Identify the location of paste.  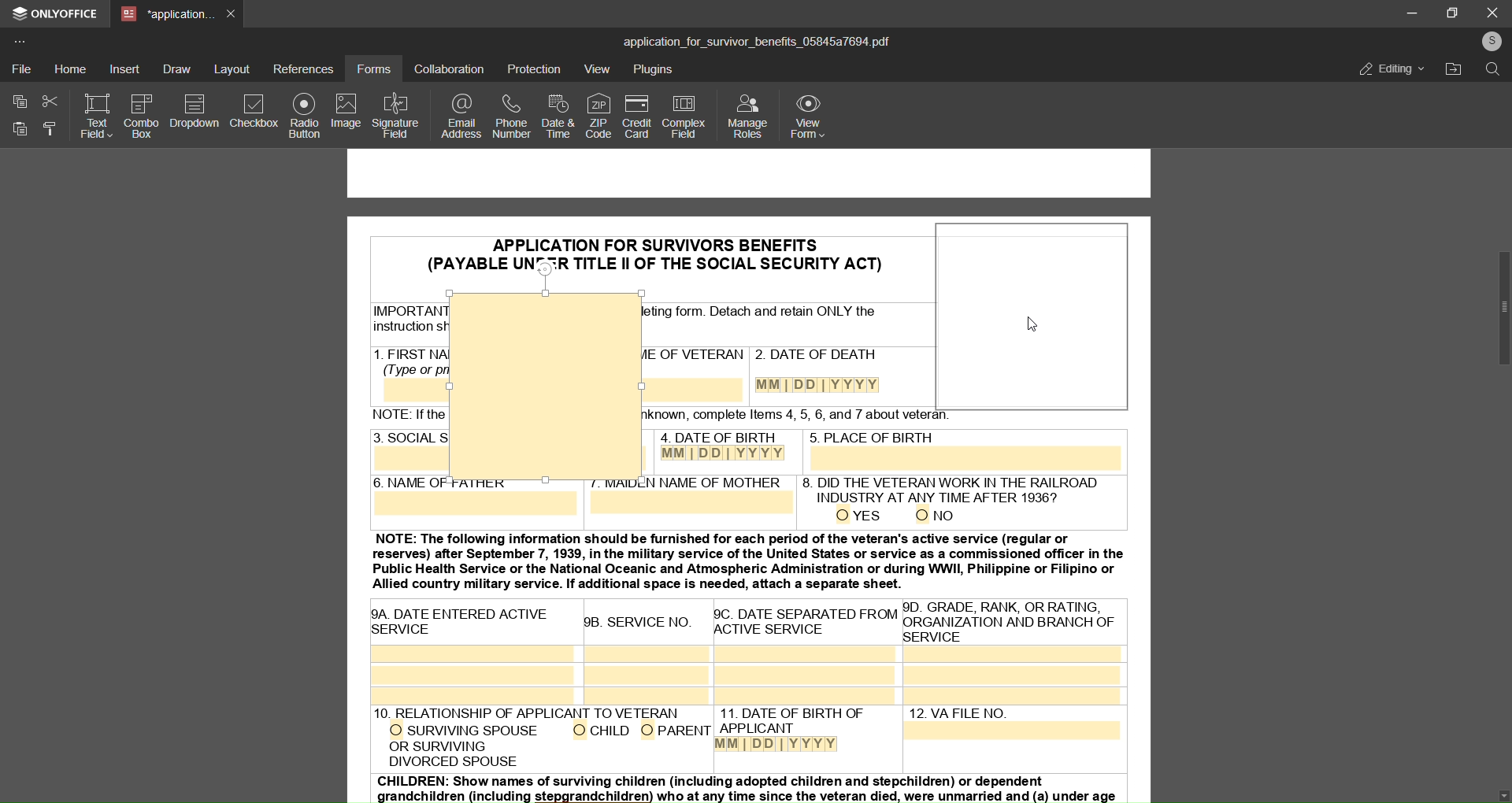
(19, 130).